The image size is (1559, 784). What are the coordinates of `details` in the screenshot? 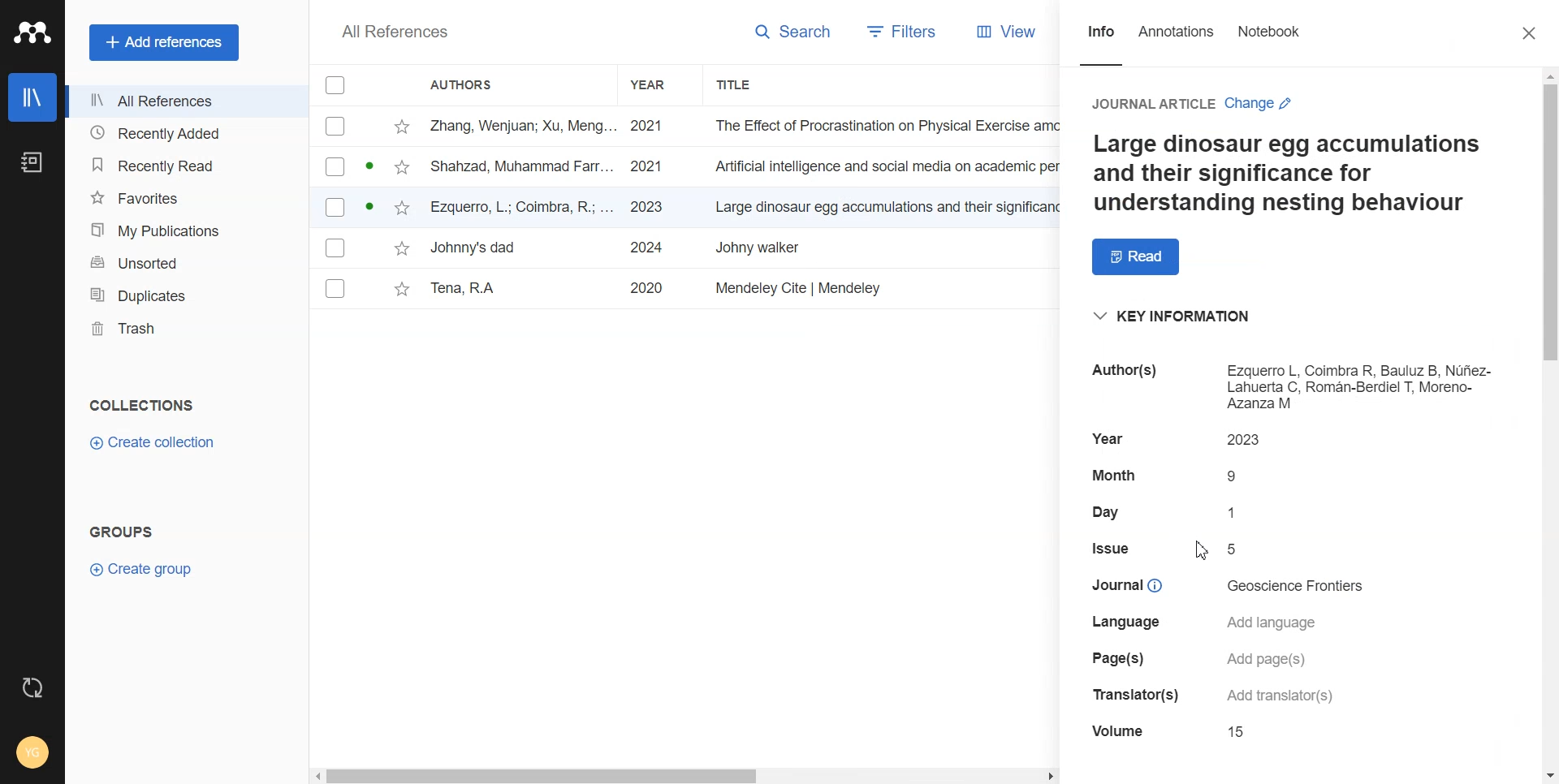 It's located at (1235, 476).